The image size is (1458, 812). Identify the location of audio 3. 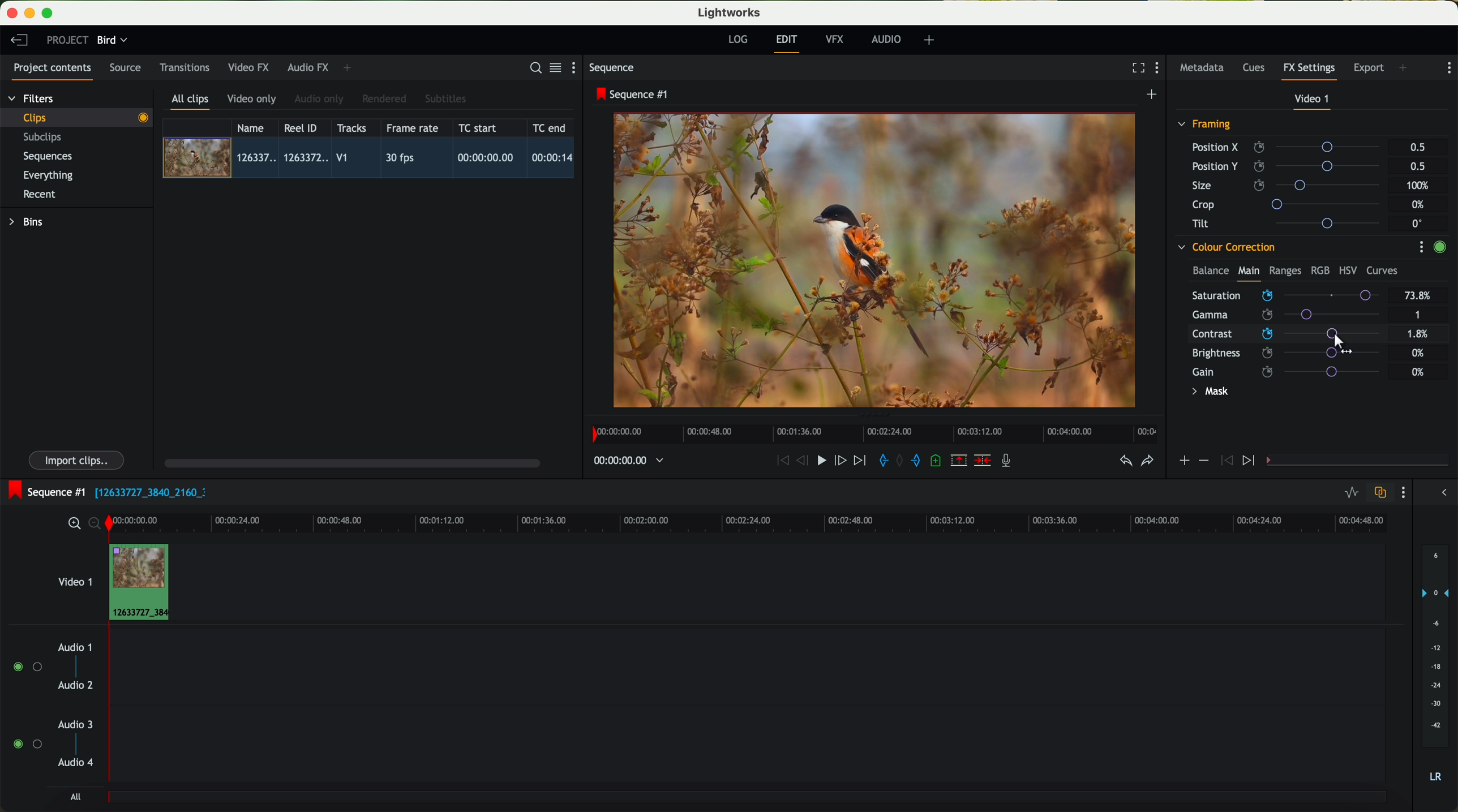
(70, 724).